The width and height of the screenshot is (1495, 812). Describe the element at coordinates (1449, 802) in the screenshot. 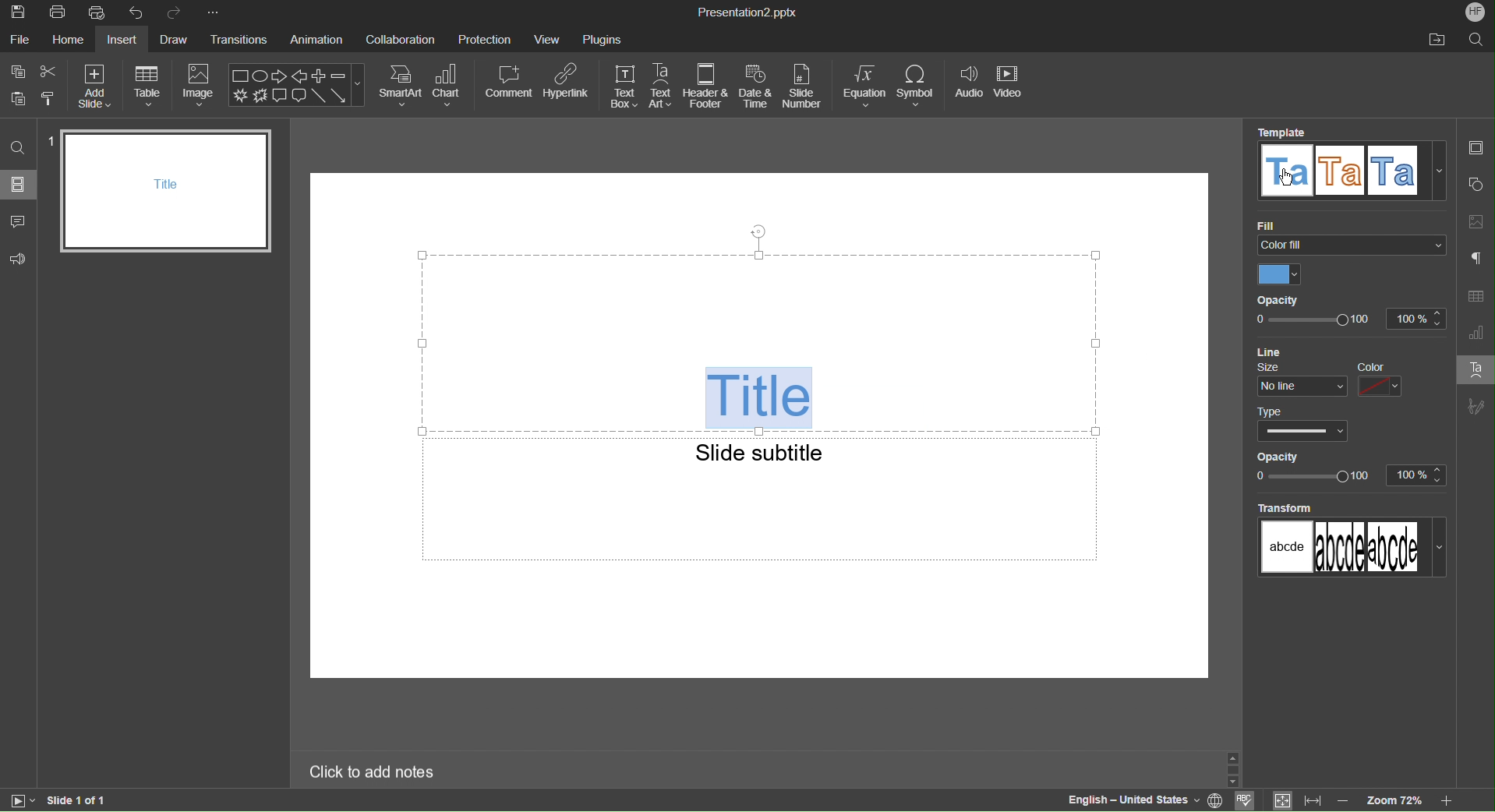

I see `Zoom in` at that location.